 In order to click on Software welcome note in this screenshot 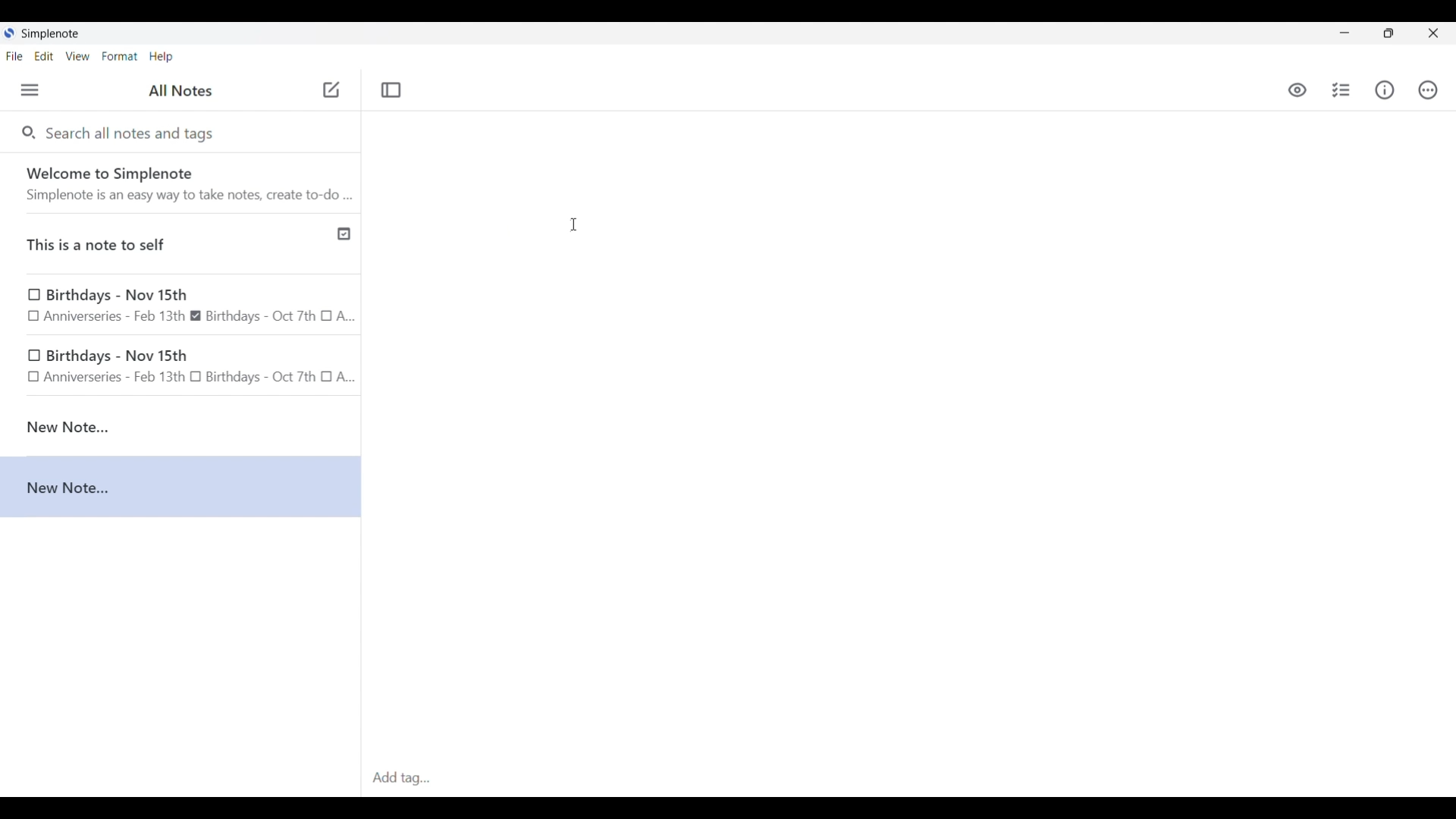, I will do `click(184, 183)`.